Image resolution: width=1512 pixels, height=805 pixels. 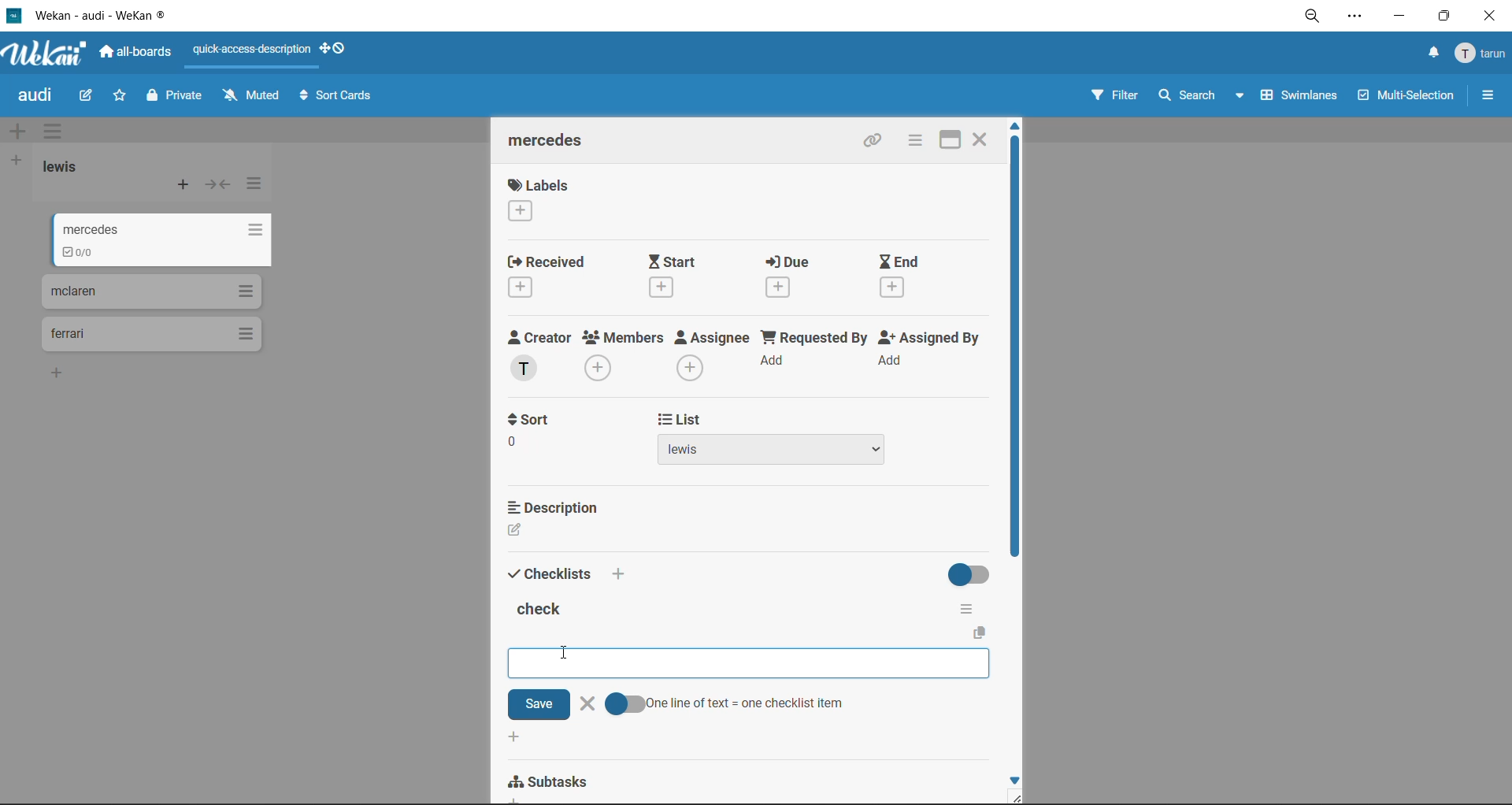 What do you see at coordinates (943, 139) in the screenshot?
I see `maximize` at bounding box center [943, 139].